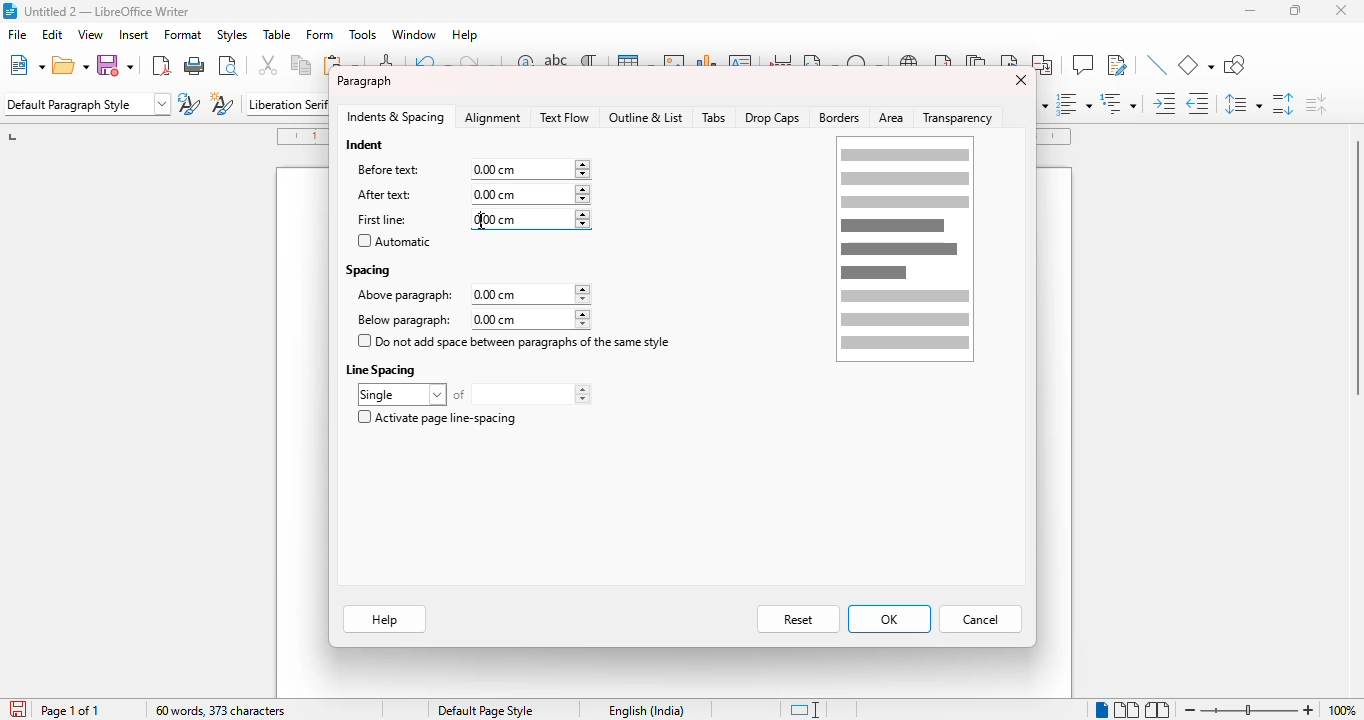 This screenshot has width=1364, height=720. Describe the element at coordinates (889, 619) in the screenshot. I see `OK` at that location.